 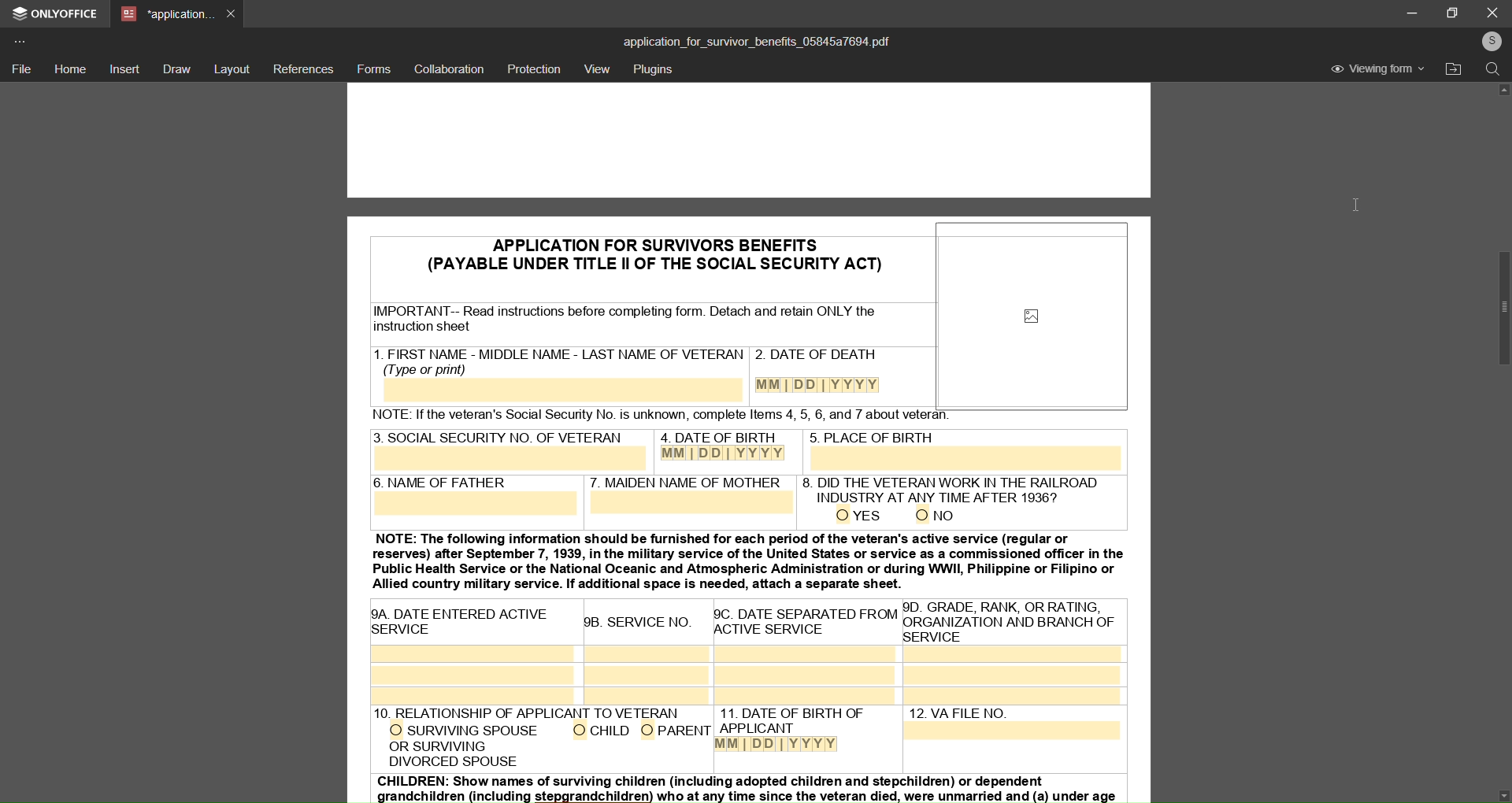 I want to click on layout, so click(x=233, y=68).